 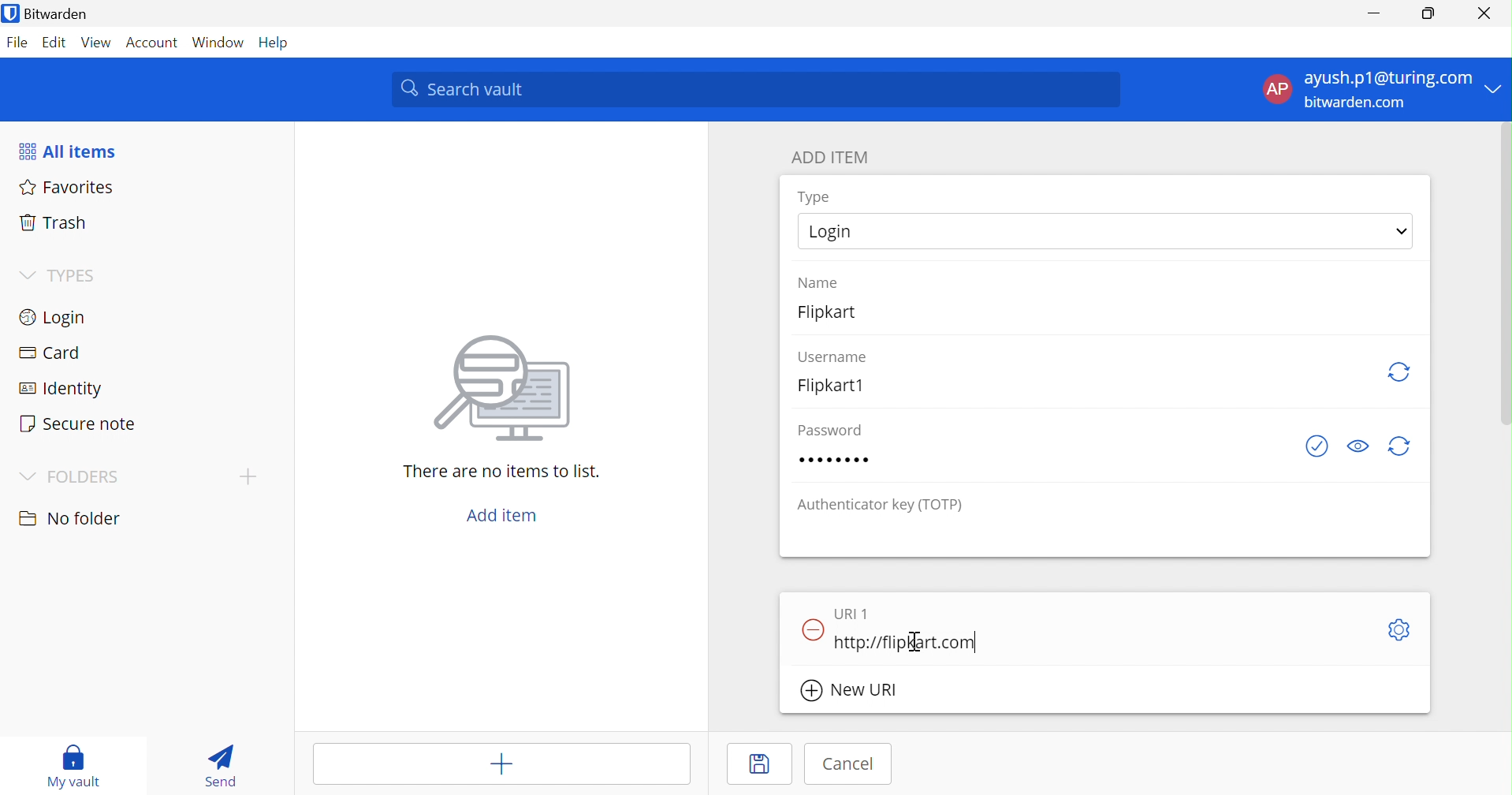 I want to click on Type, so click(x=814, y=197).